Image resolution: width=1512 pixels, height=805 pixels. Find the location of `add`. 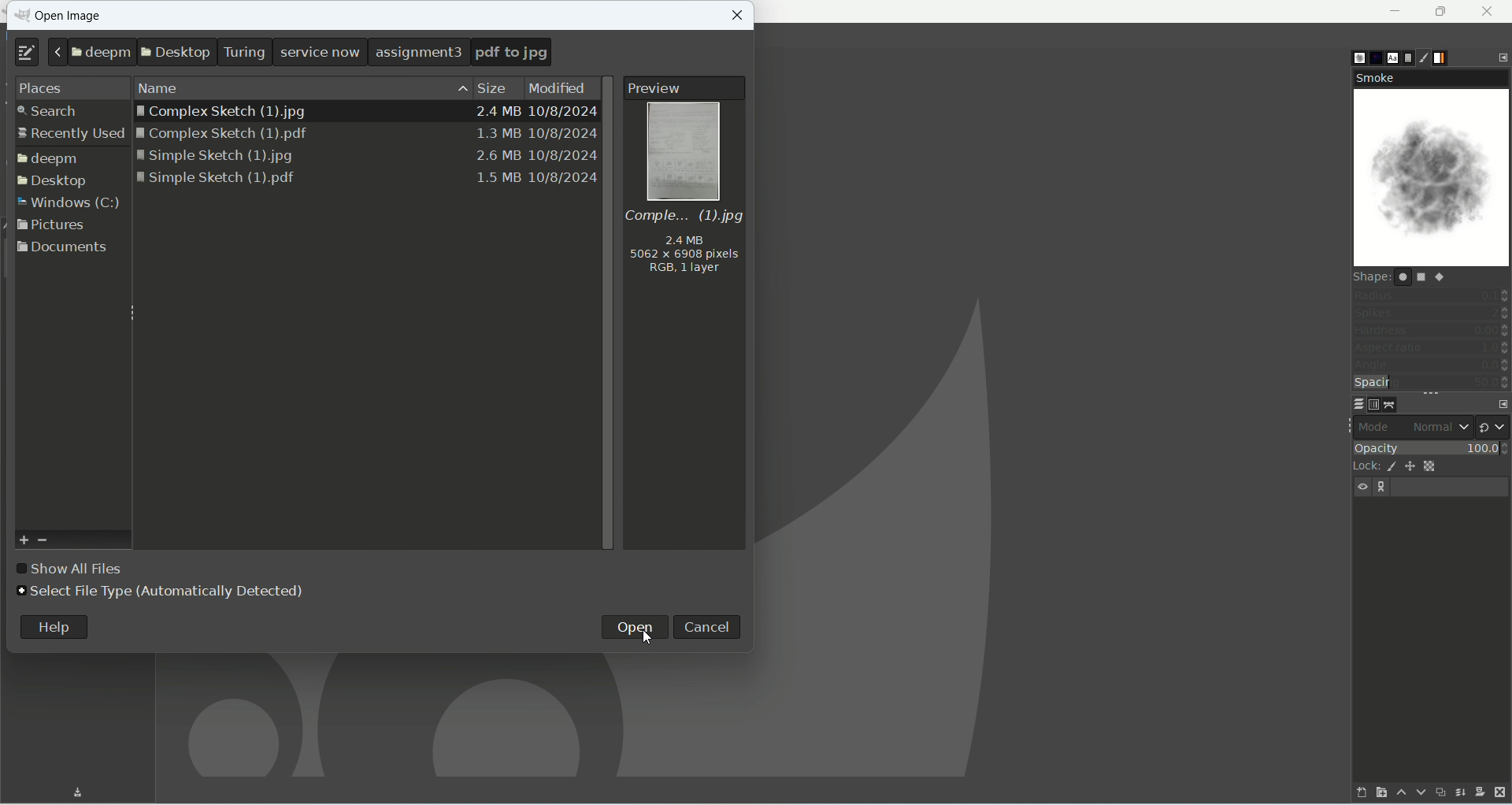

add is located at coordinates (22, 538).